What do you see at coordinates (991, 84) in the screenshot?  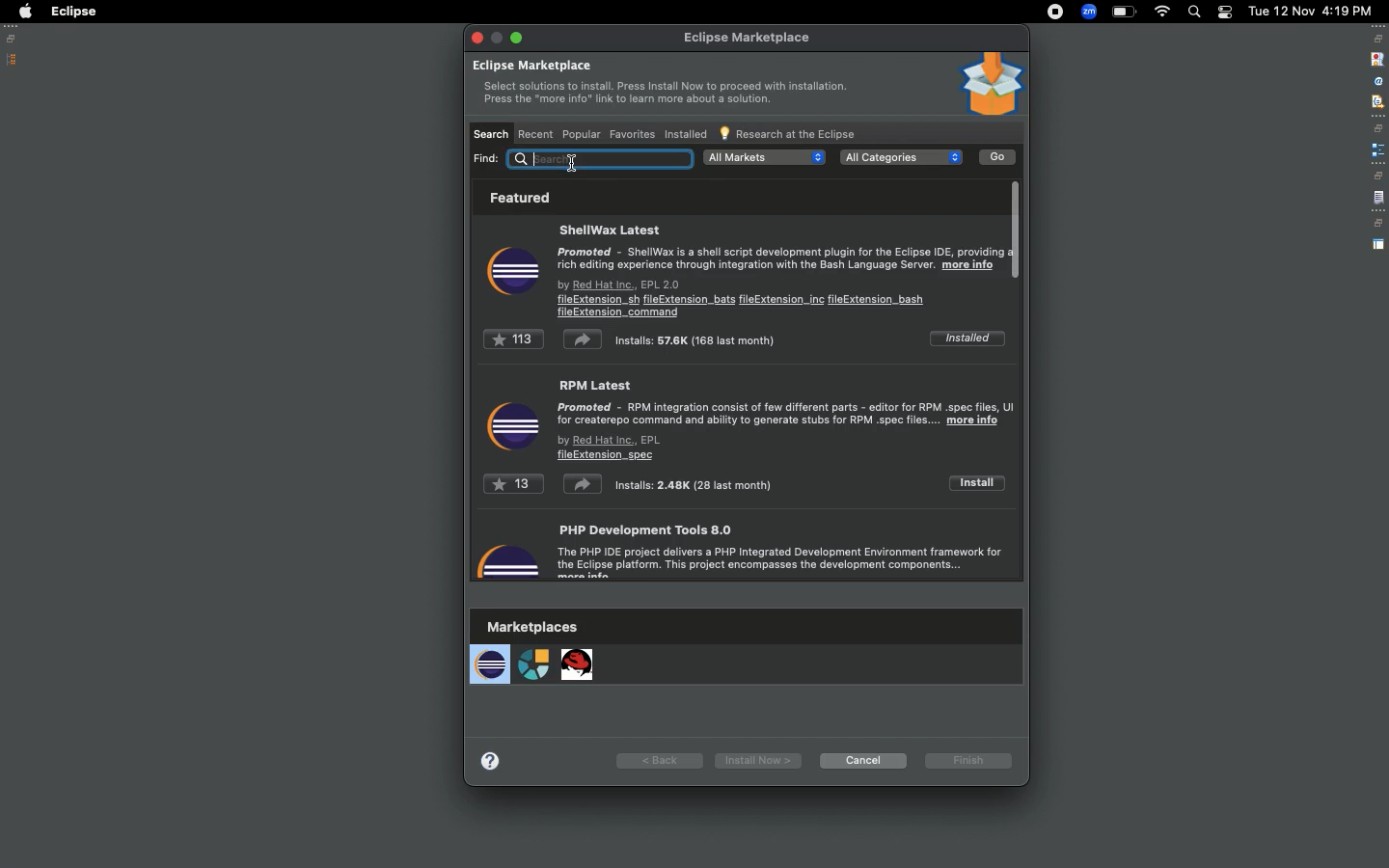 I see `Icon` at bounding box center [991, 84].